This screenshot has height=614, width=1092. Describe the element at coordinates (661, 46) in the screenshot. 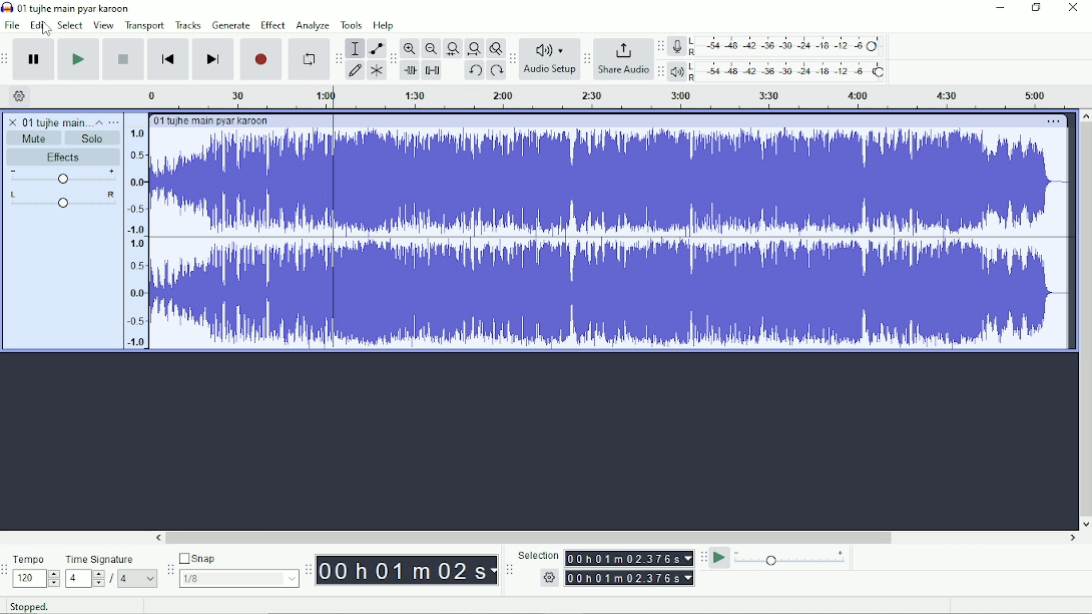

I see `Audacity record meter toolbar` at that location.